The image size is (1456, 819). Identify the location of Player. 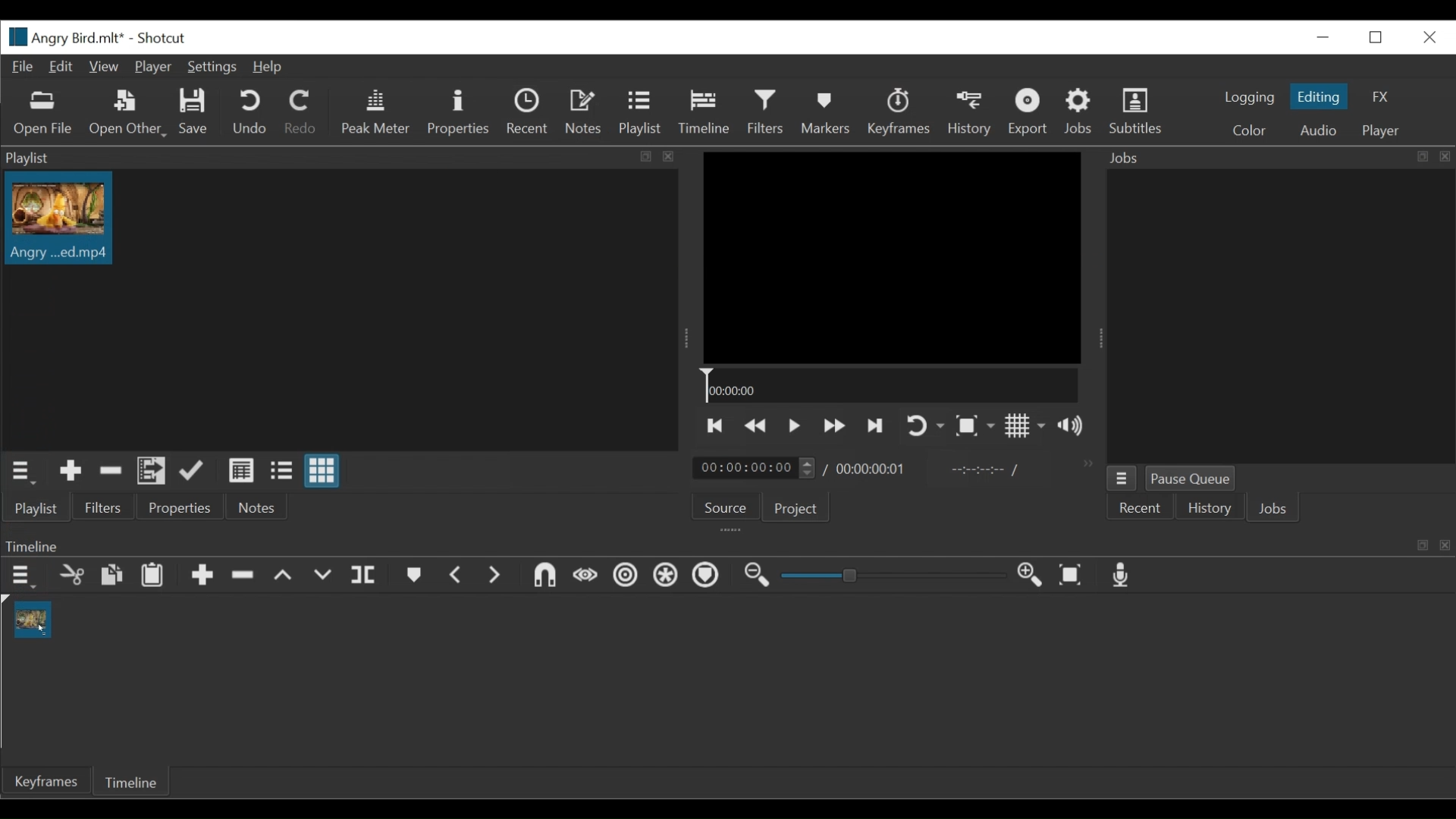
(1380, 131).